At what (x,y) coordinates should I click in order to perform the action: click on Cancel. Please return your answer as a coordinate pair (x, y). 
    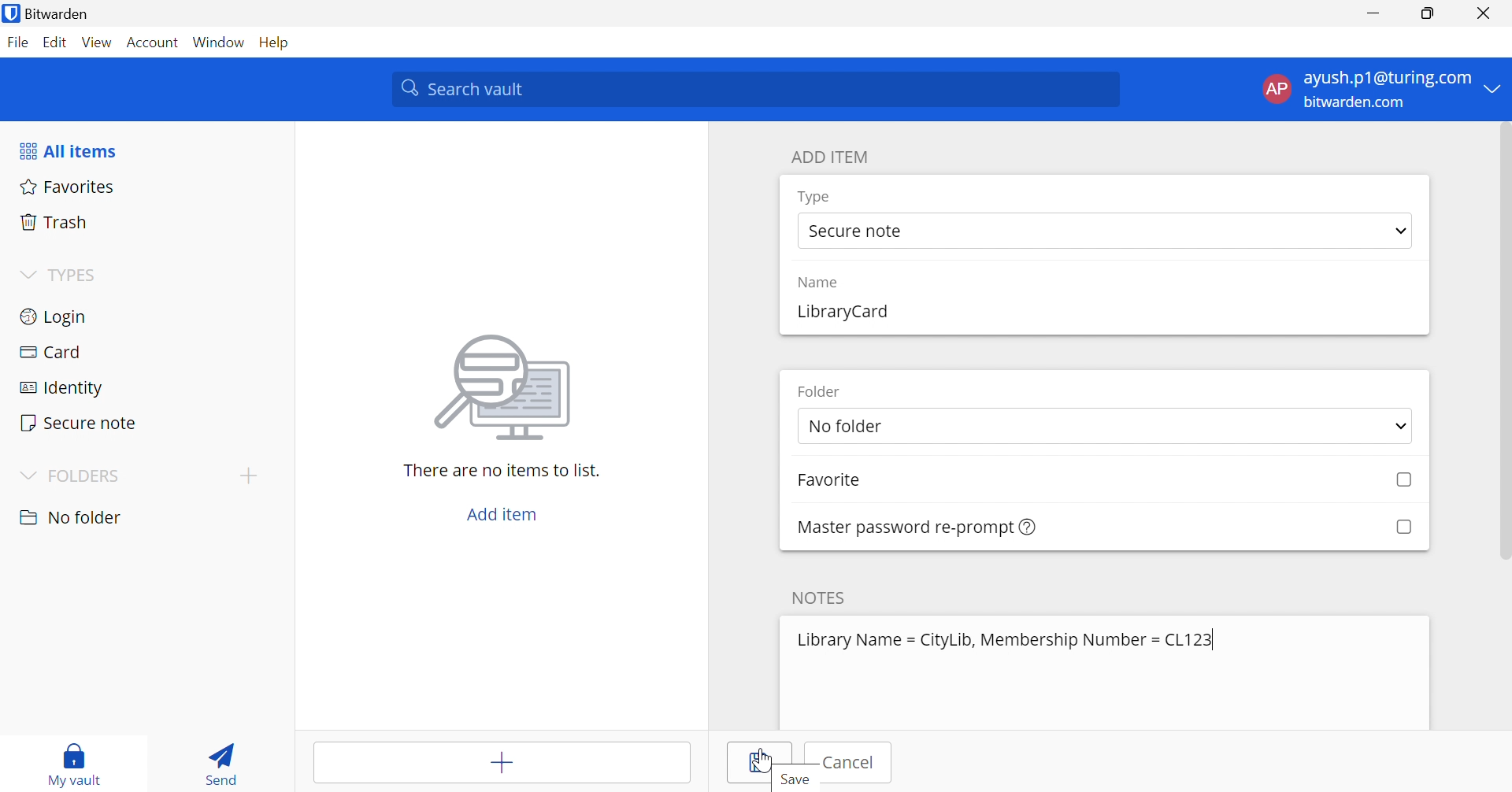
    Looking at the image, I should click on (847, 762).